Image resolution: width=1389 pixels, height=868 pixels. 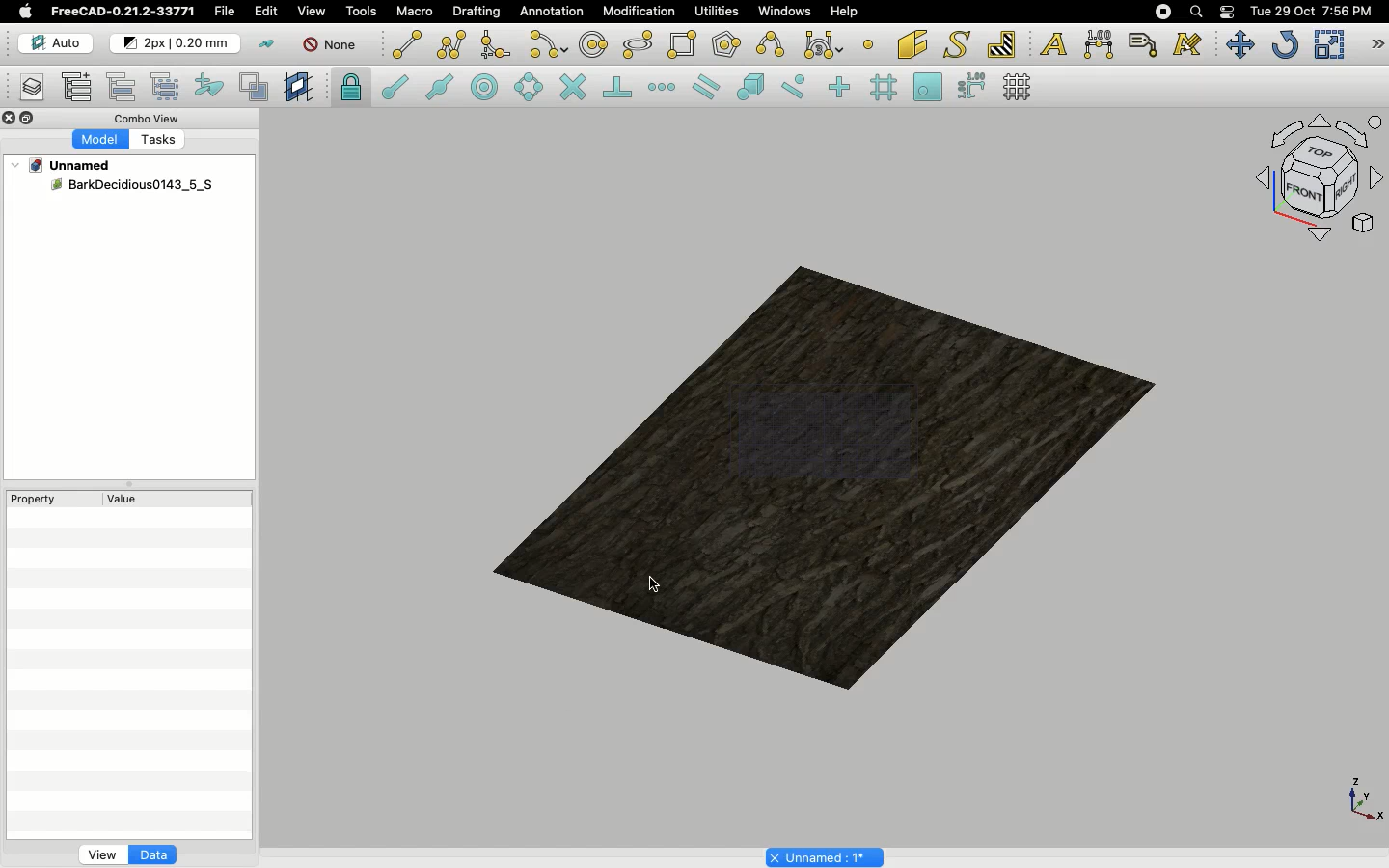 I want to click on Toggle construction mode, so click(x=267, y=44).